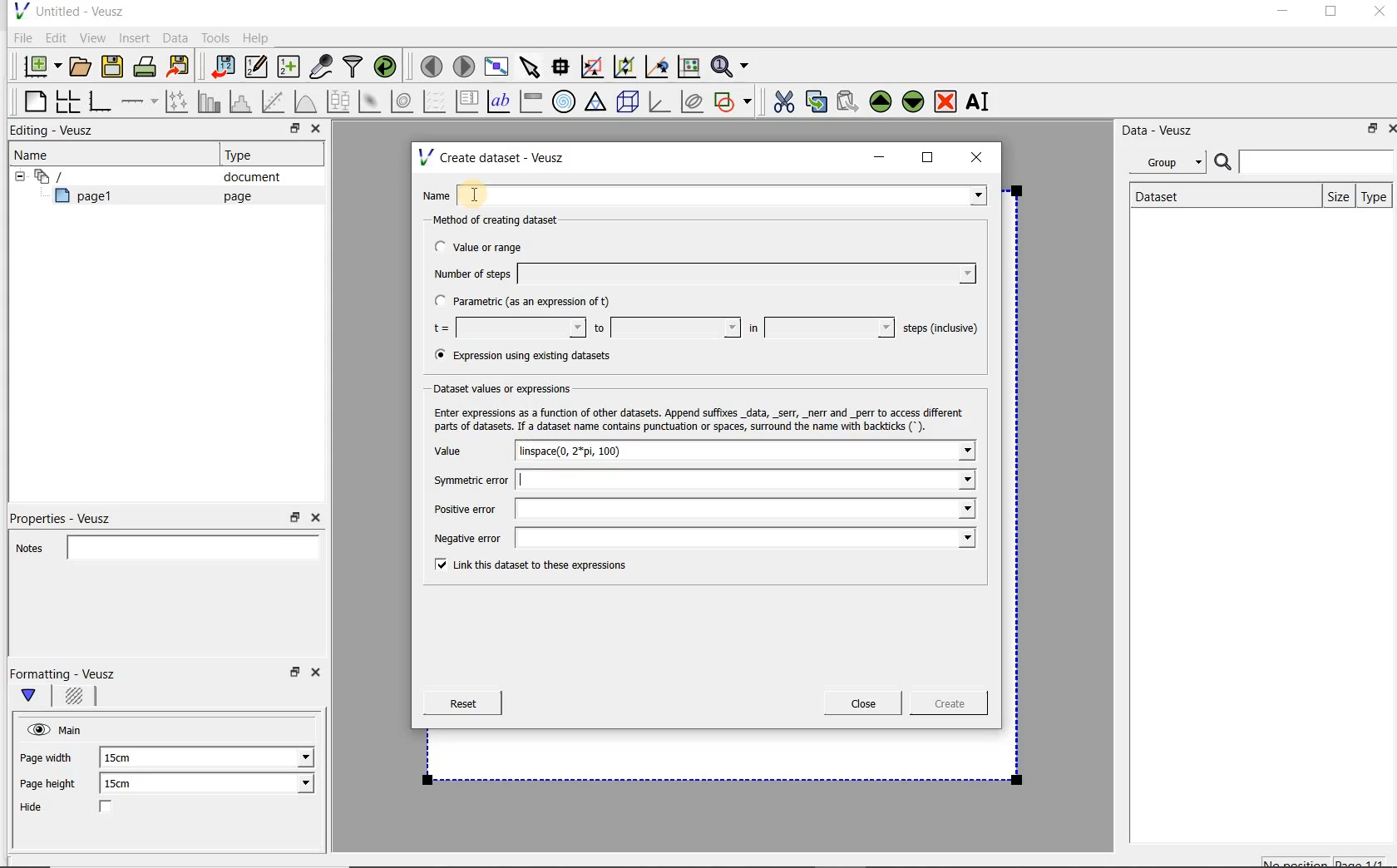 Image resolution: width=1397 pixels, height=868 pixels. I want to click on Move the selected widget up, so click(881, 101).